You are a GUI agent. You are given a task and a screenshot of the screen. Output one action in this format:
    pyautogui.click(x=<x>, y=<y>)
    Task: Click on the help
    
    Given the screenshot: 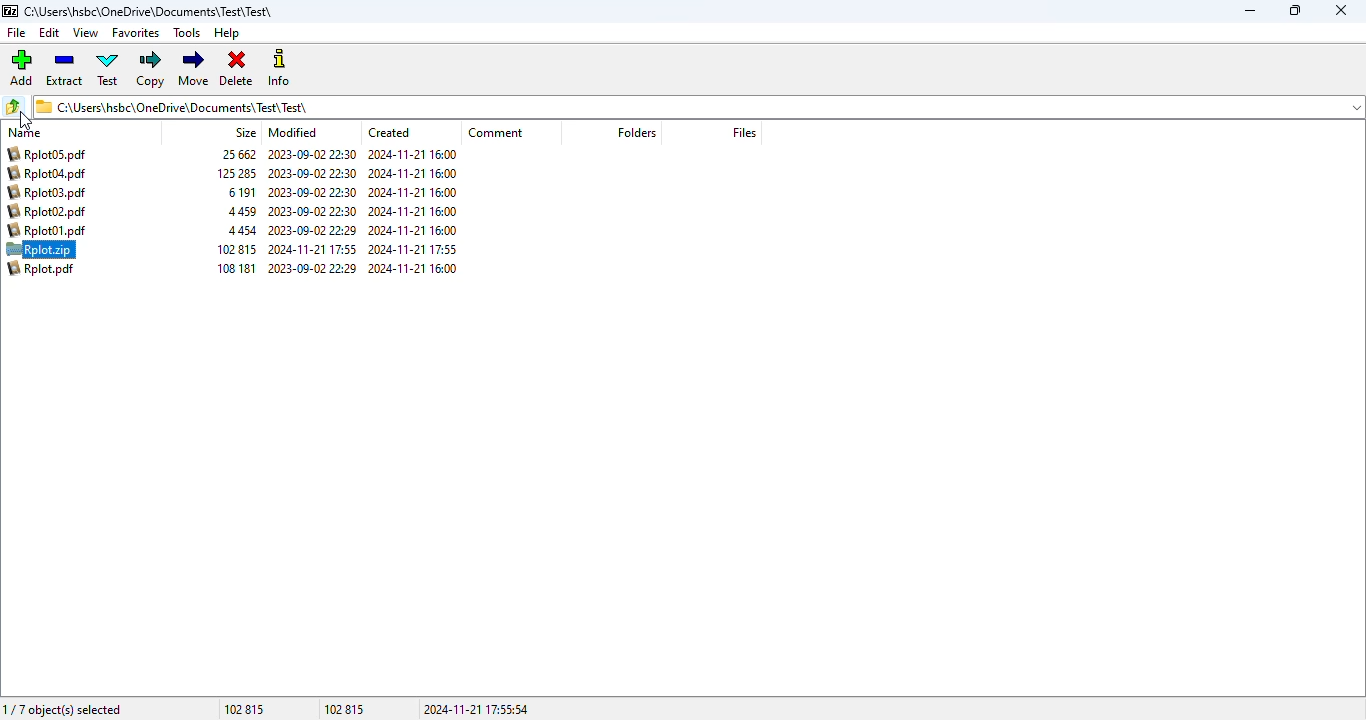 What is the action you would take?
    pyautogui.click(x=226, y=33)
    